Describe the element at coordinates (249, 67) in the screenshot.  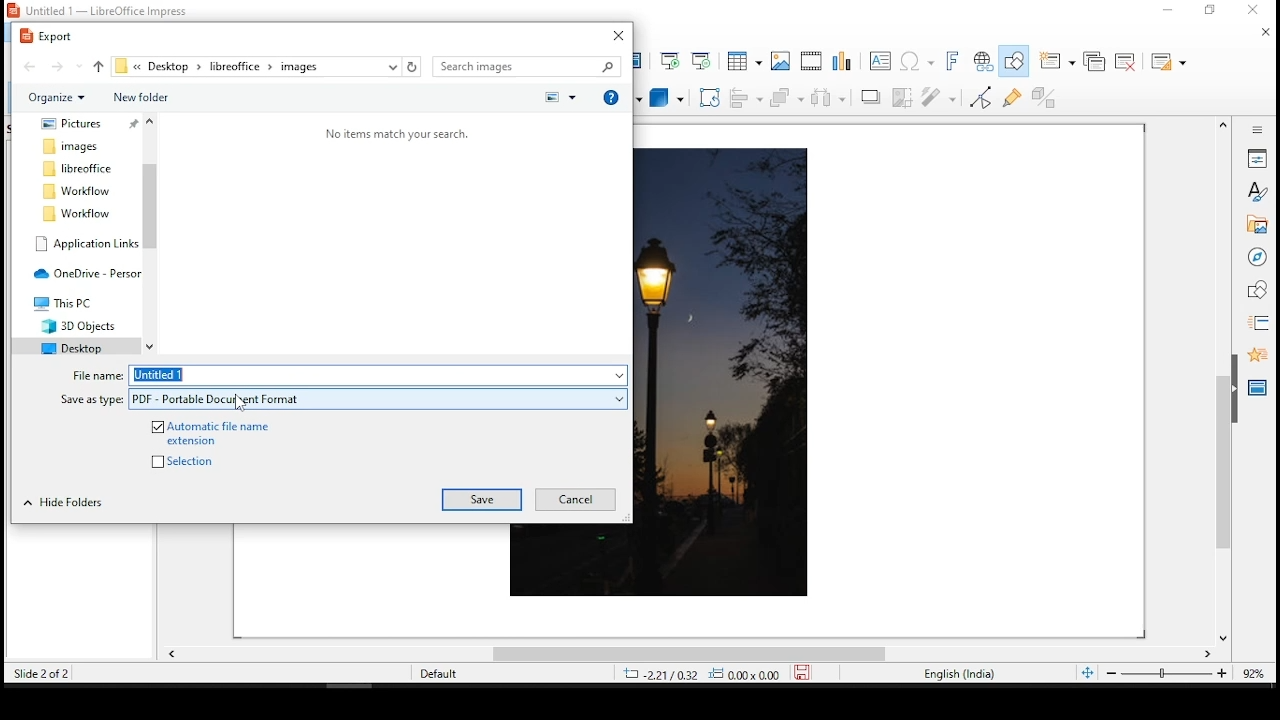
I see `file path` at that location.